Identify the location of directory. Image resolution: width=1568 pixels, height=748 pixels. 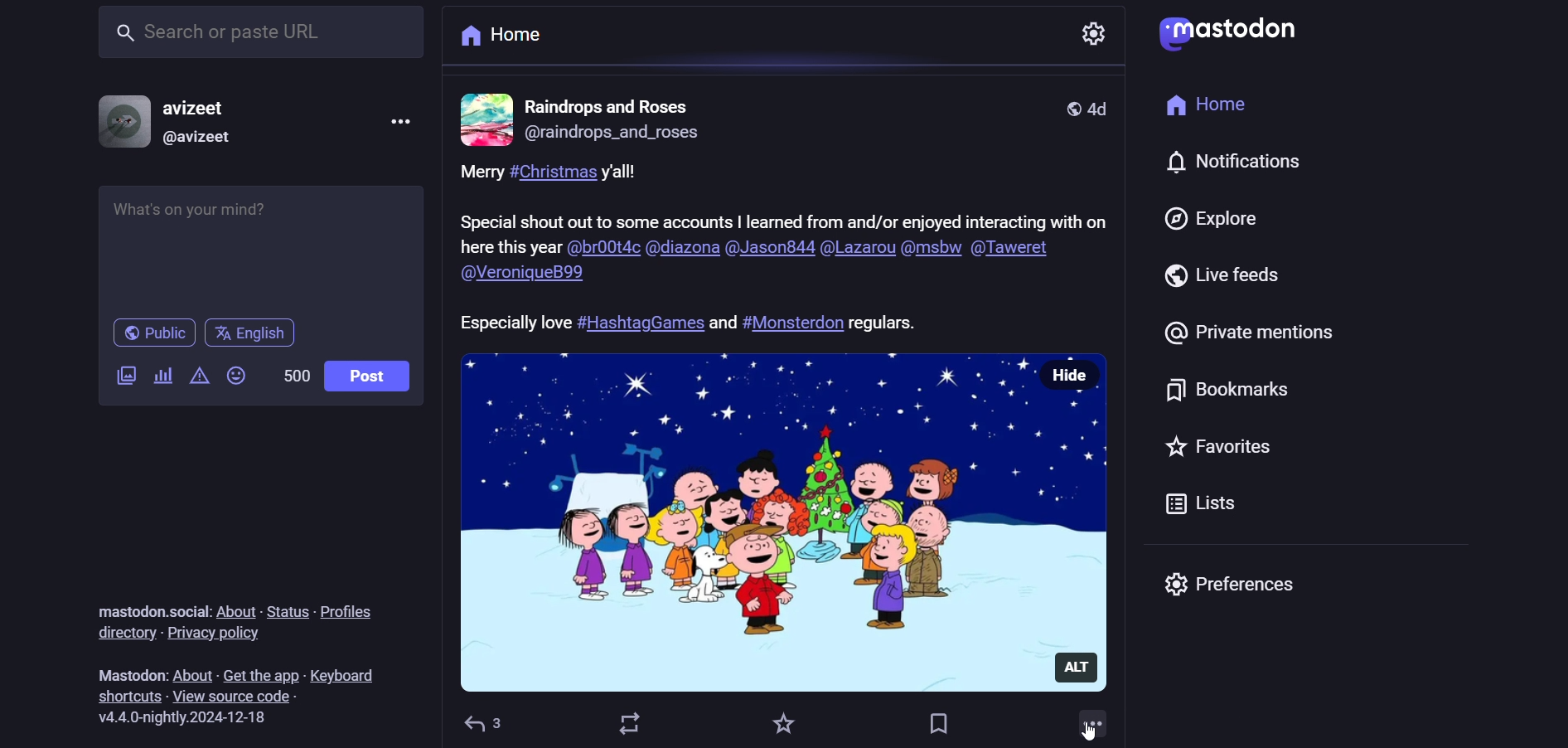
(123, 633).